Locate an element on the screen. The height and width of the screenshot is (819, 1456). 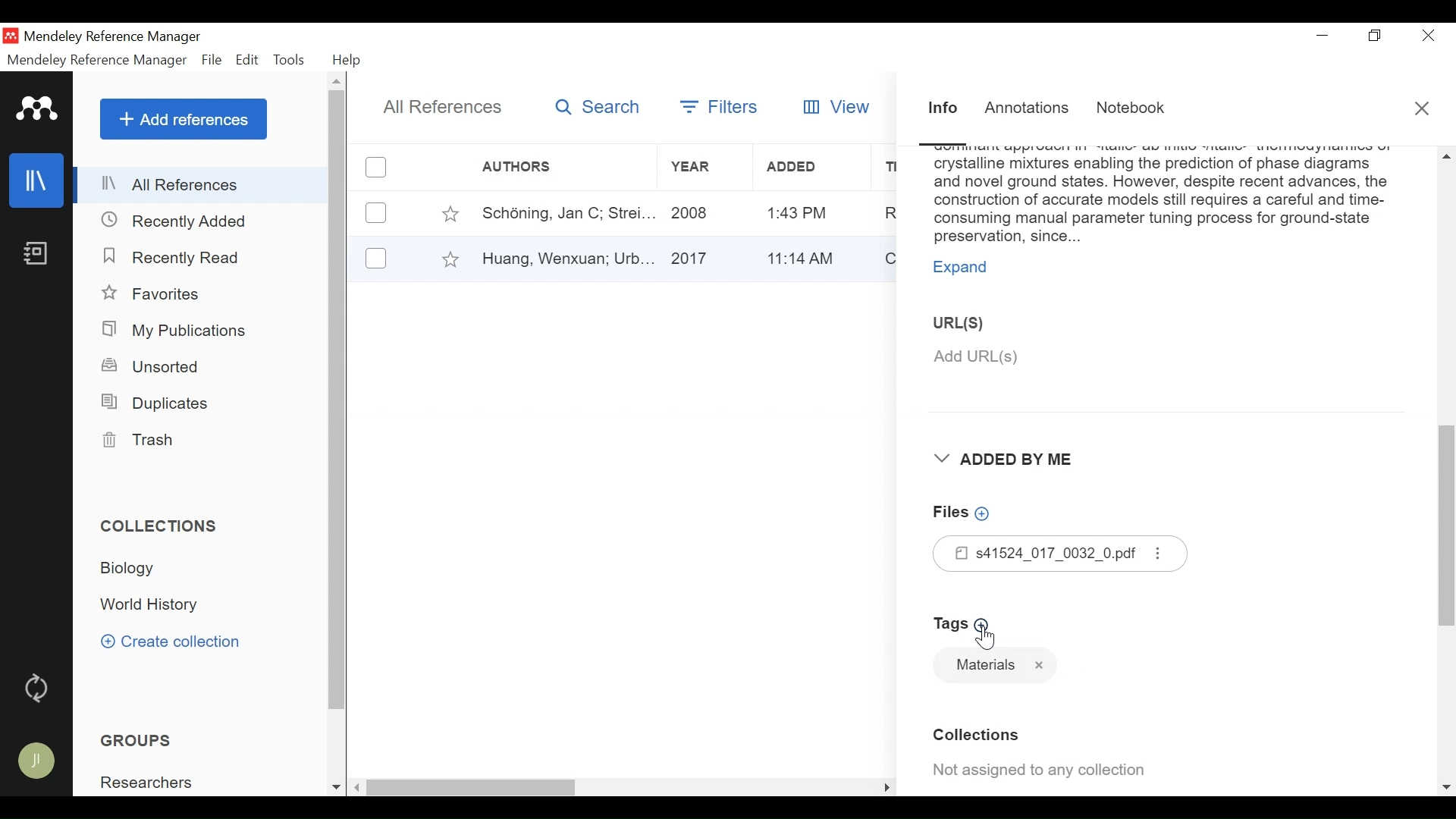
Information is located at coordinates (944, 109).